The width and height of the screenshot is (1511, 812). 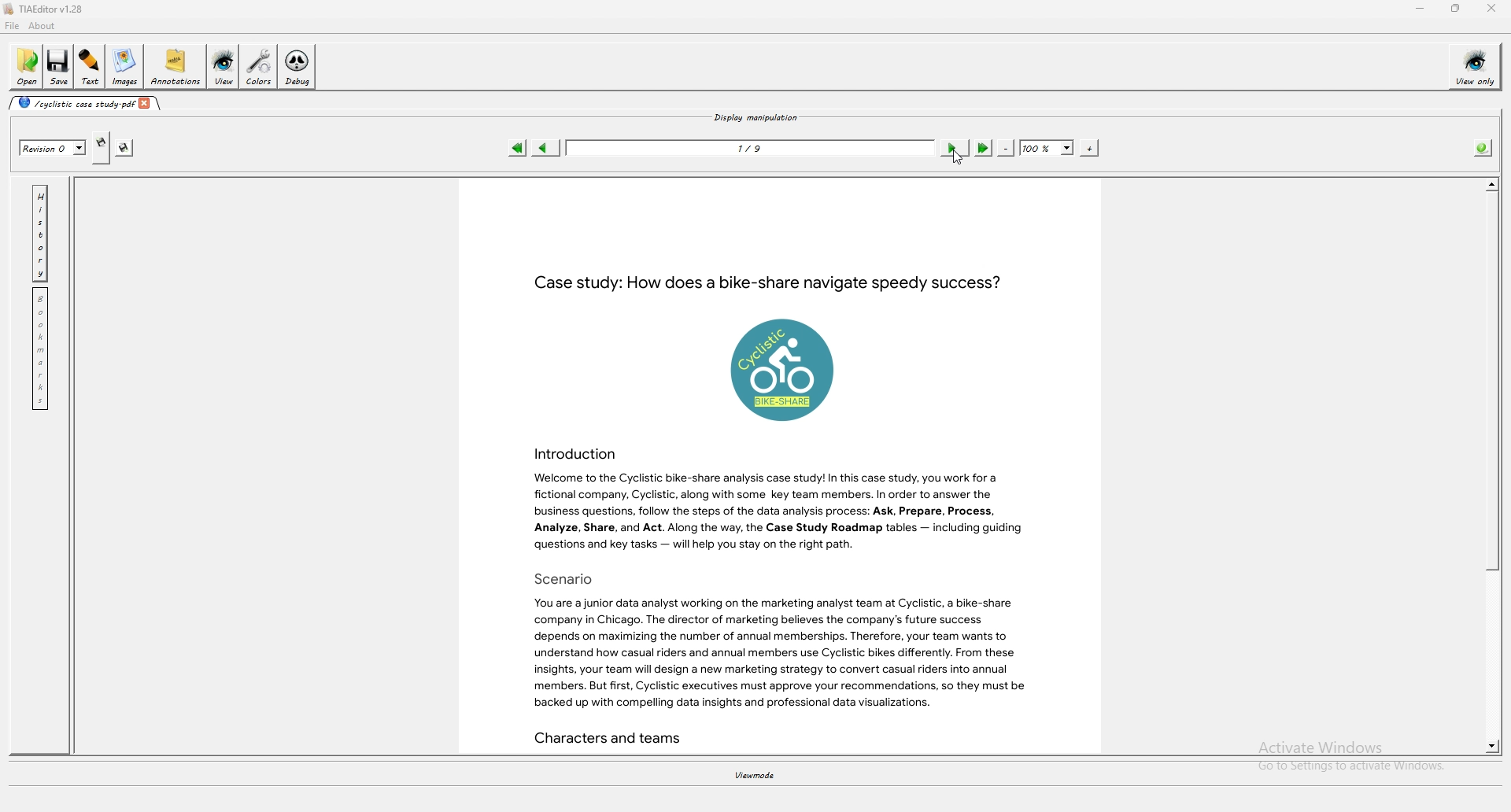 What do you see at coordinates (123, 148) in the screenshot?
I see `save this revision` at bounding box center [123, 148].